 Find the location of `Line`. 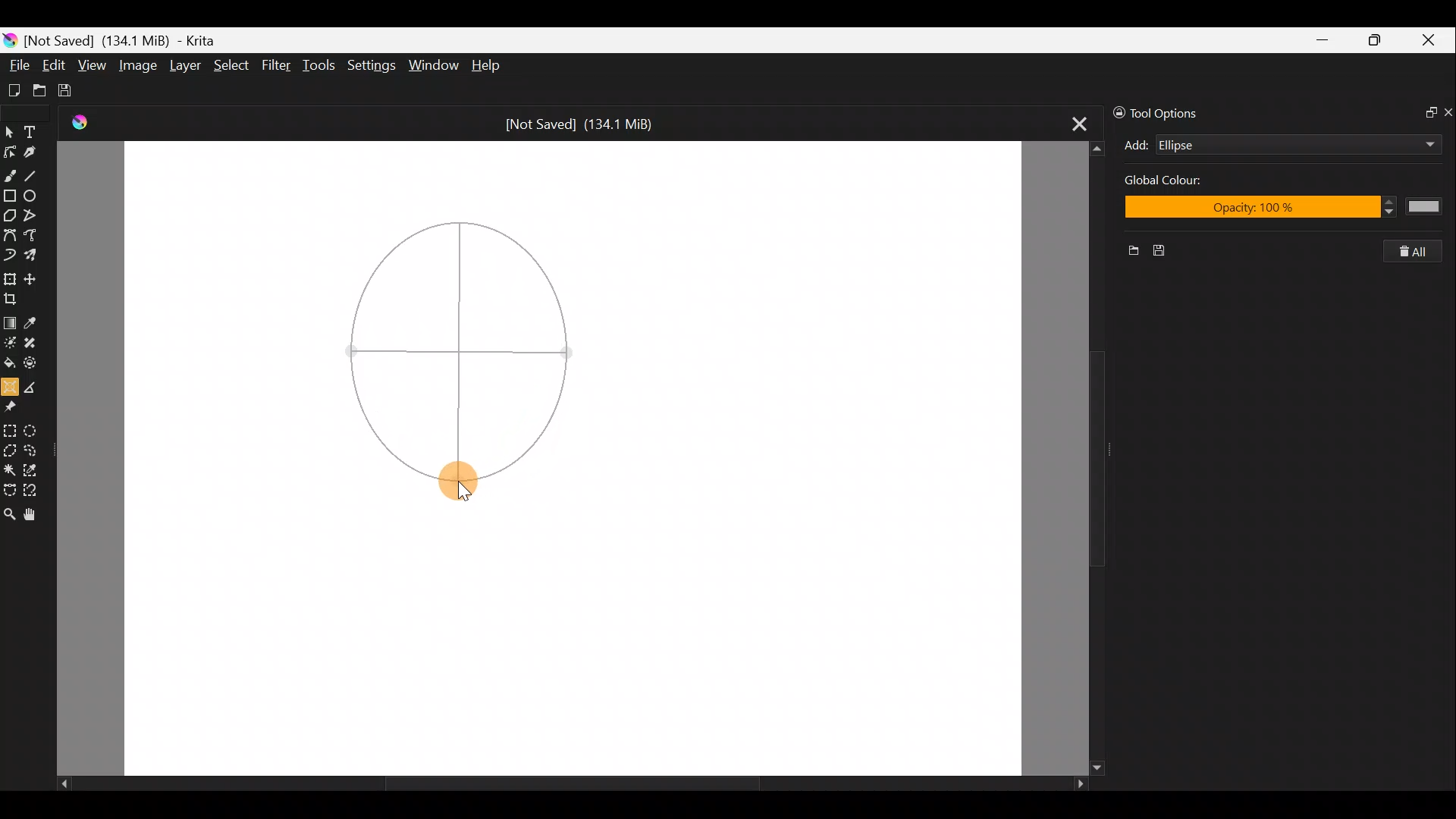

Line is located at coordinates (37, 175).